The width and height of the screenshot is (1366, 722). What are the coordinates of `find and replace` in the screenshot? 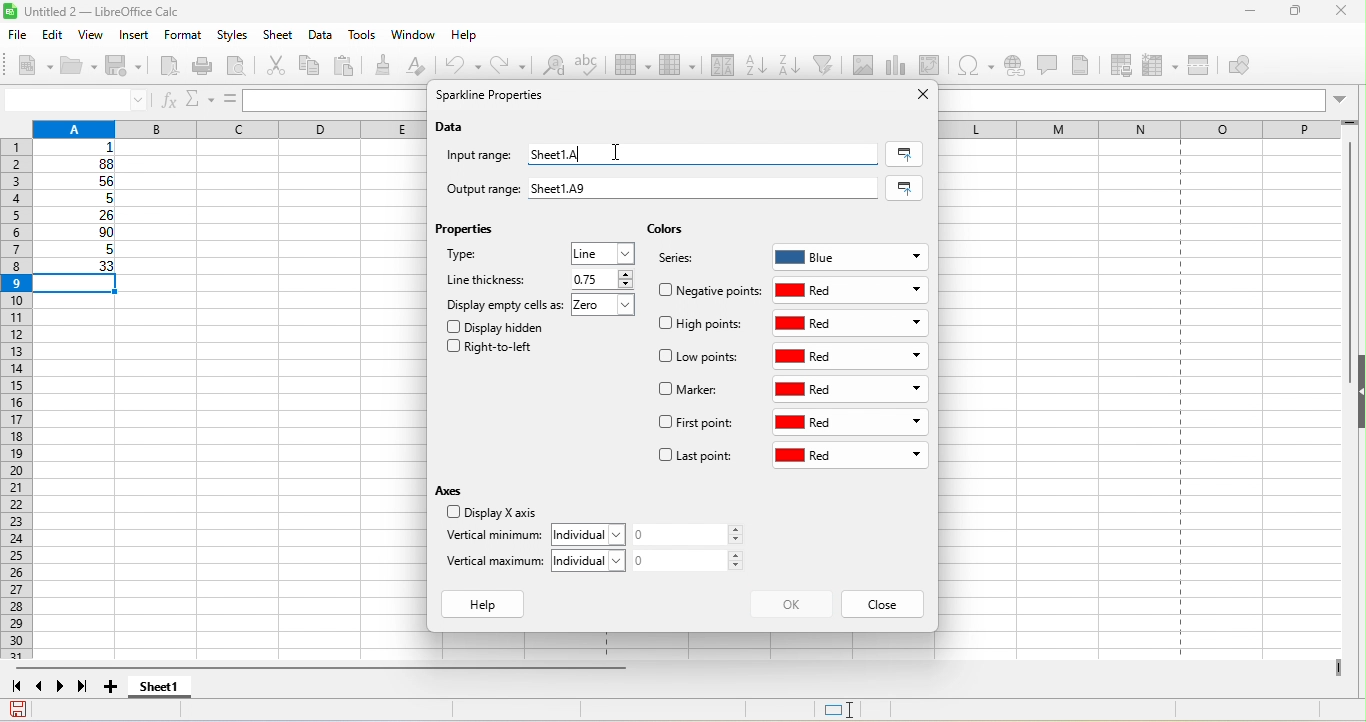 It's located at (554, 68).